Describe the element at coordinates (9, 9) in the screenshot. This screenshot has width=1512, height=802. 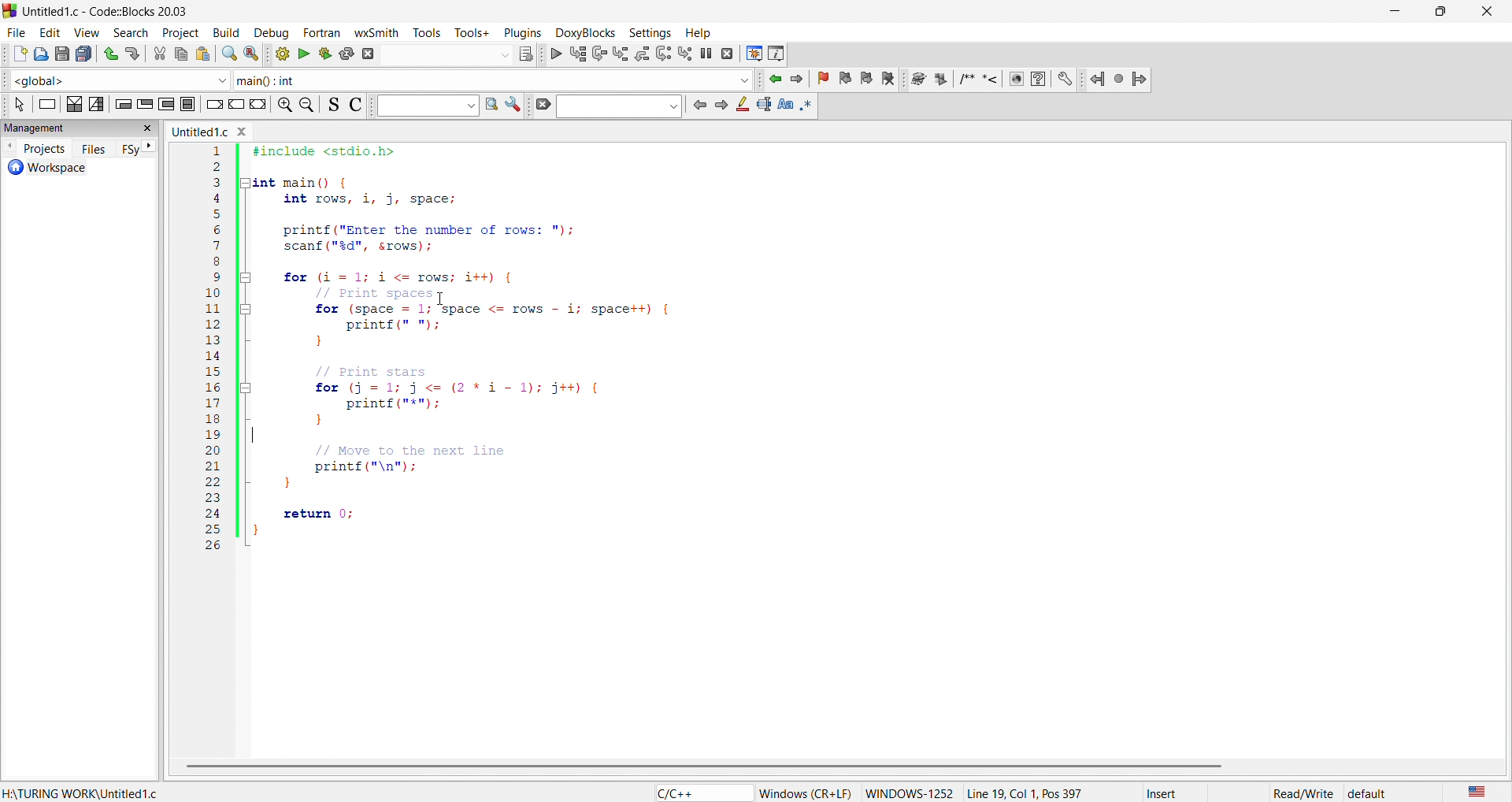
I see `Code:Blocks` at that location.